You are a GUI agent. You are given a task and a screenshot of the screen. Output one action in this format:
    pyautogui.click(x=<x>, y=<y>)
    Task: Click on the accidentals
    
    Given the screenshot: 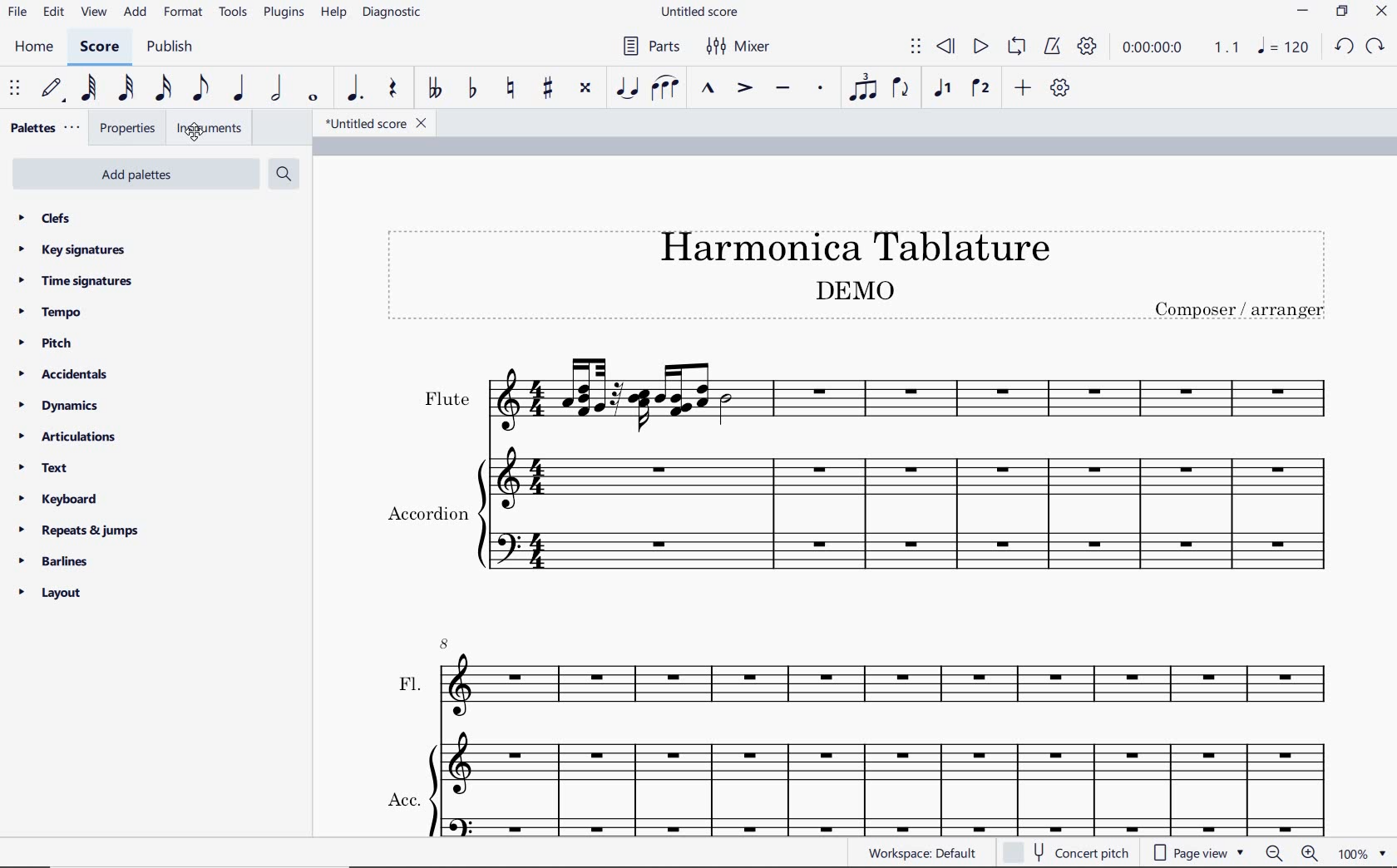 What is the action you would take?
    pyautogui.click(x=61, y=374)
    